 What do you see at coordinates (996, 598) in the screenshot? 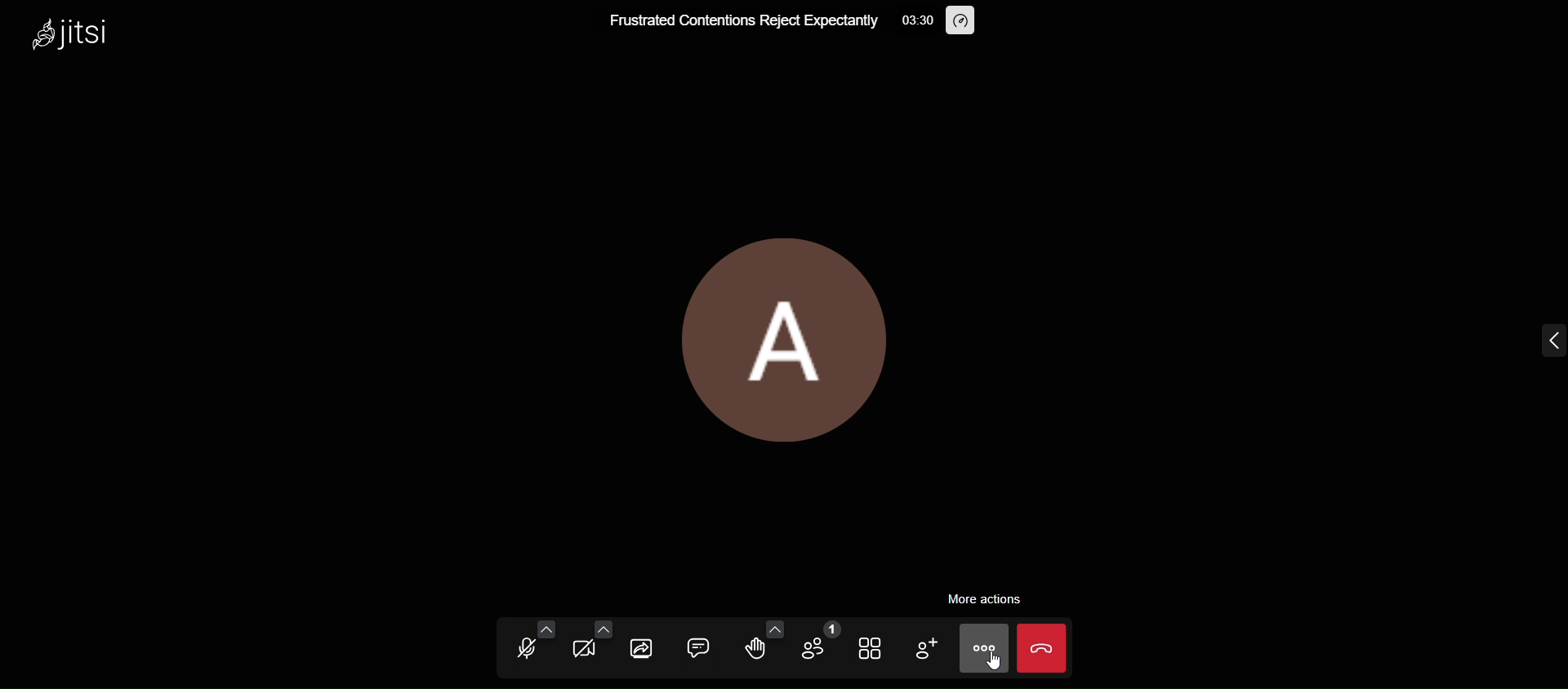
I see `more action` at bounding box center [996, 598].